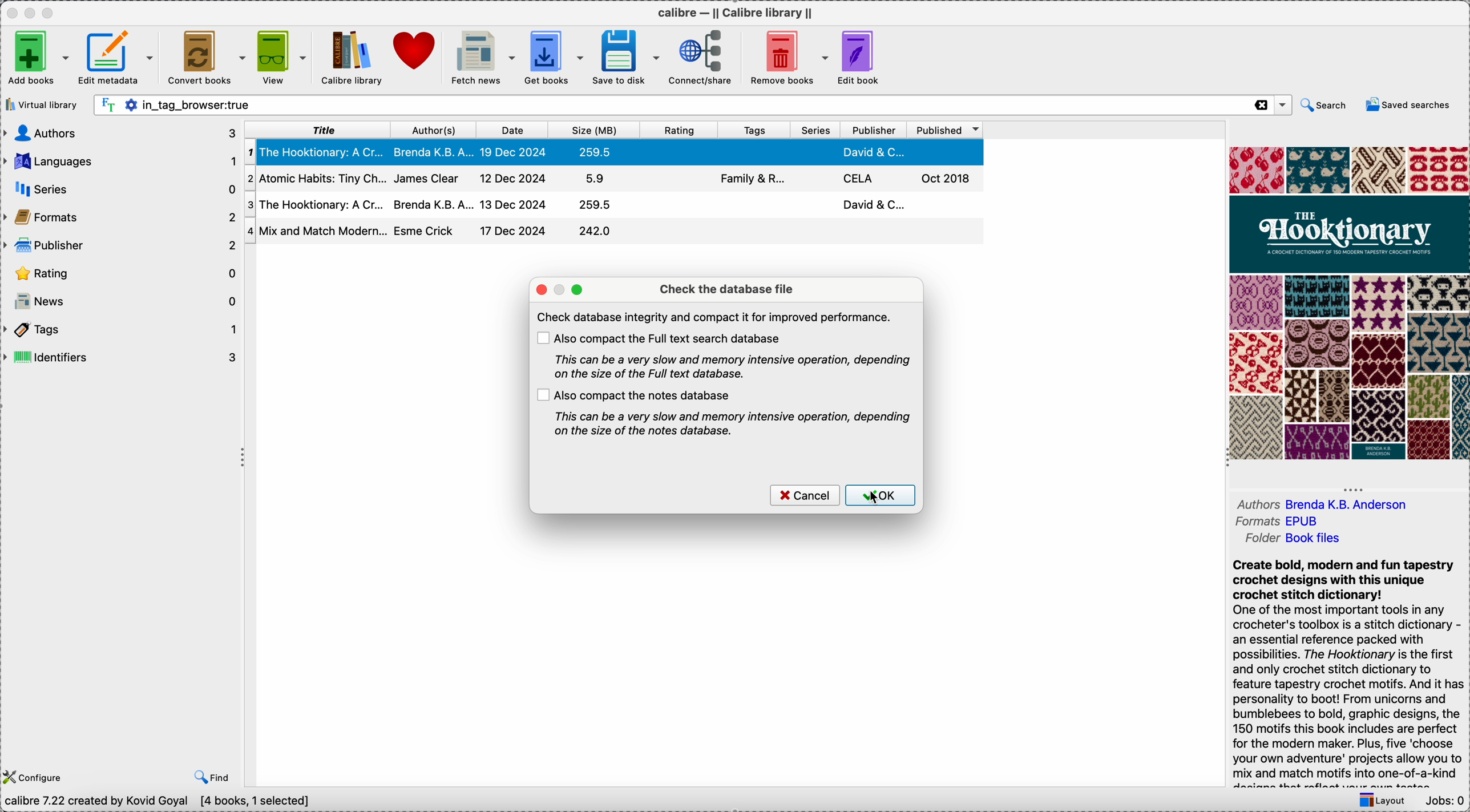 This screenshot has height=812, width=1470. I want to click on edit metadata, so click(118, 61).